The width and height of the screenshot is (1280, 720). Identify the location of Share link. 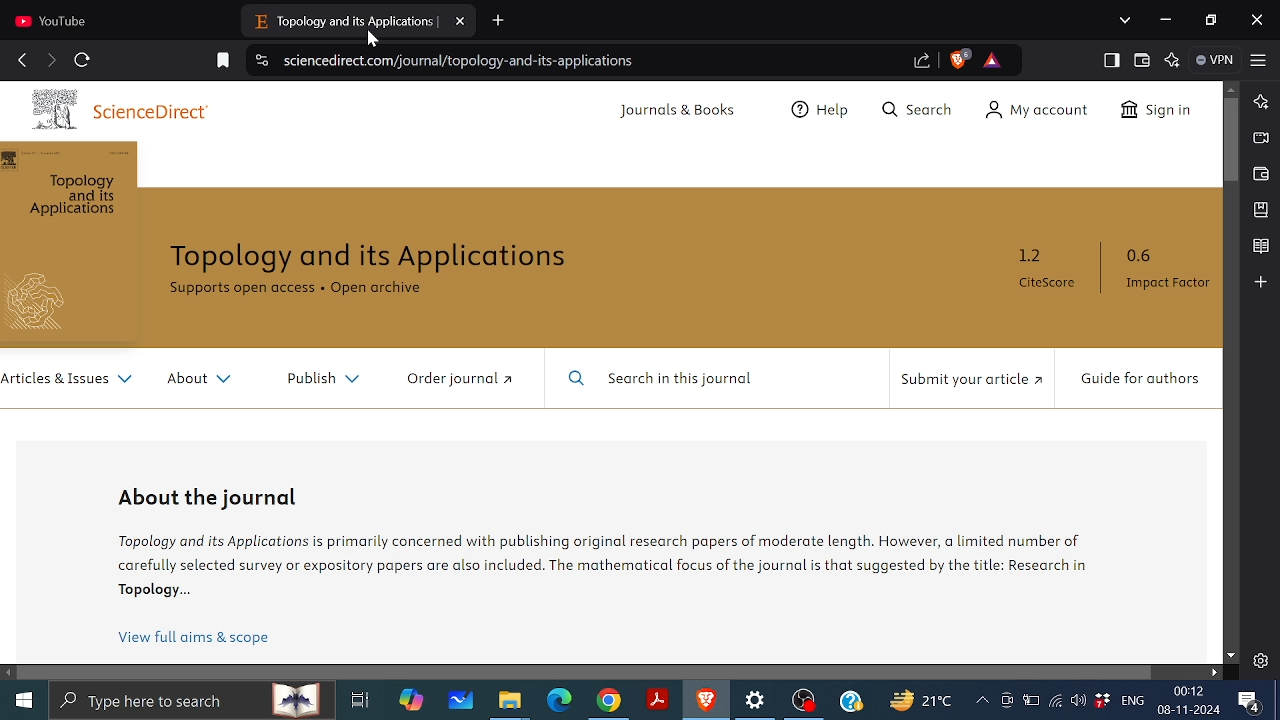
(923, 62).